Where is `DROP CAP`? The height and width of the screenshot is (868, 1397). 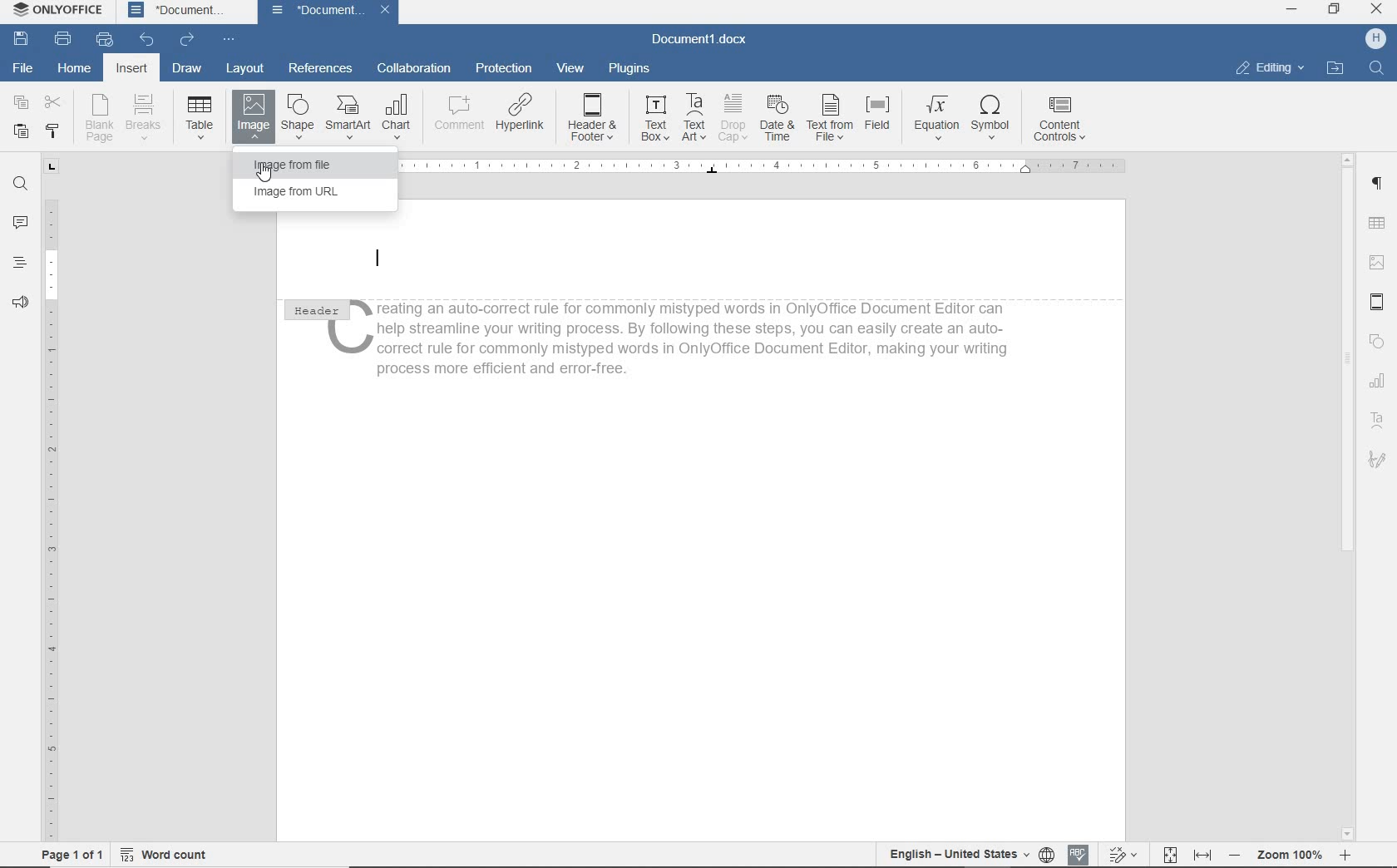
DROP CAP is located at coordinates (734, 121).